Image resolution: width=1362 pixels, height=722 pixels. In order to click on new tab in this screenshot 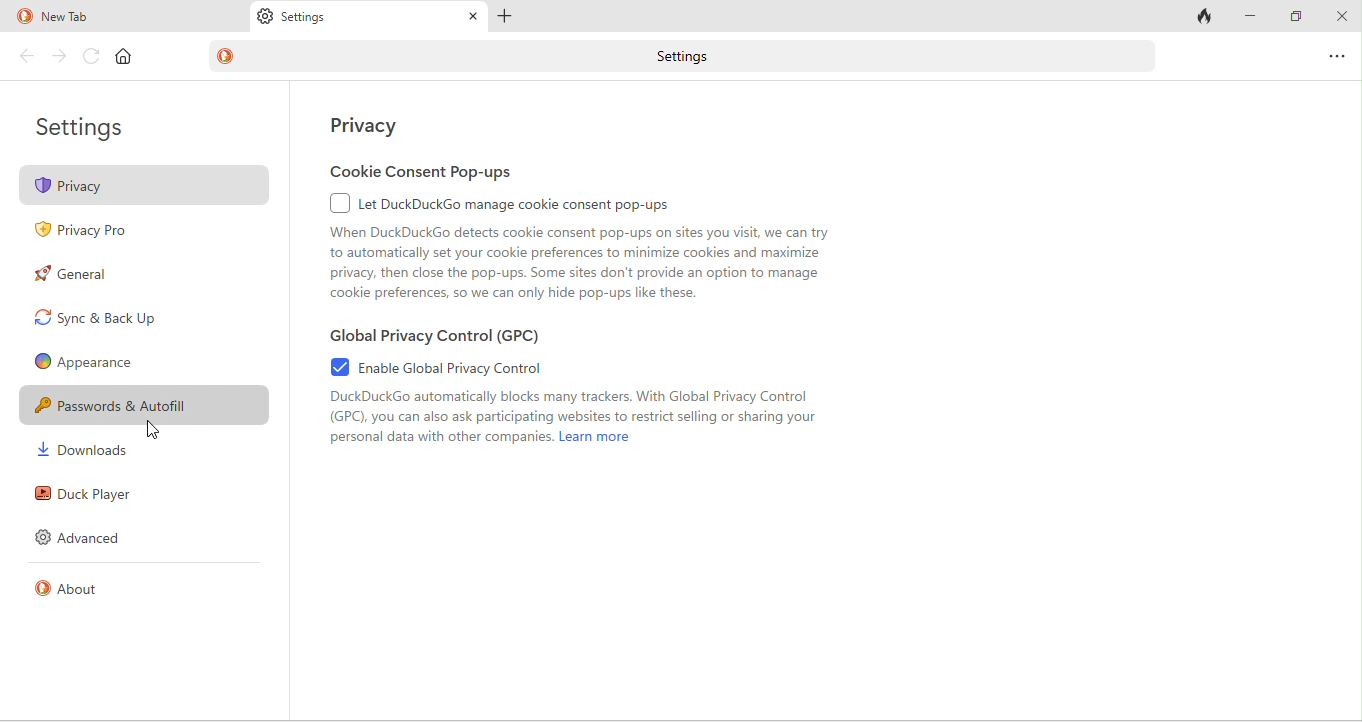, I will do `click(114, 15)`.